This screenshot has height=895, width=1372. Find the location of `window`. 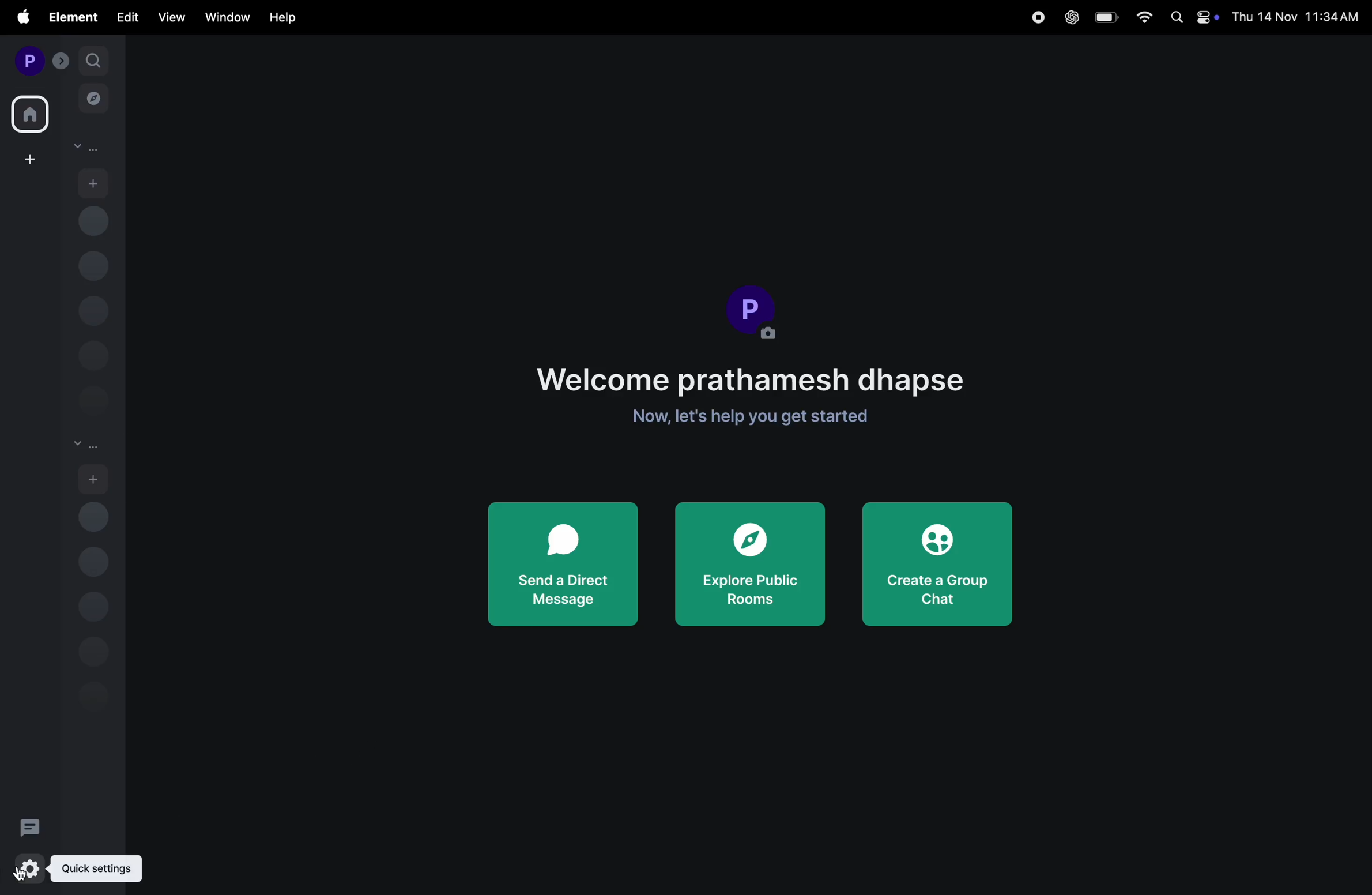

window is located at coordinates (223, 18).